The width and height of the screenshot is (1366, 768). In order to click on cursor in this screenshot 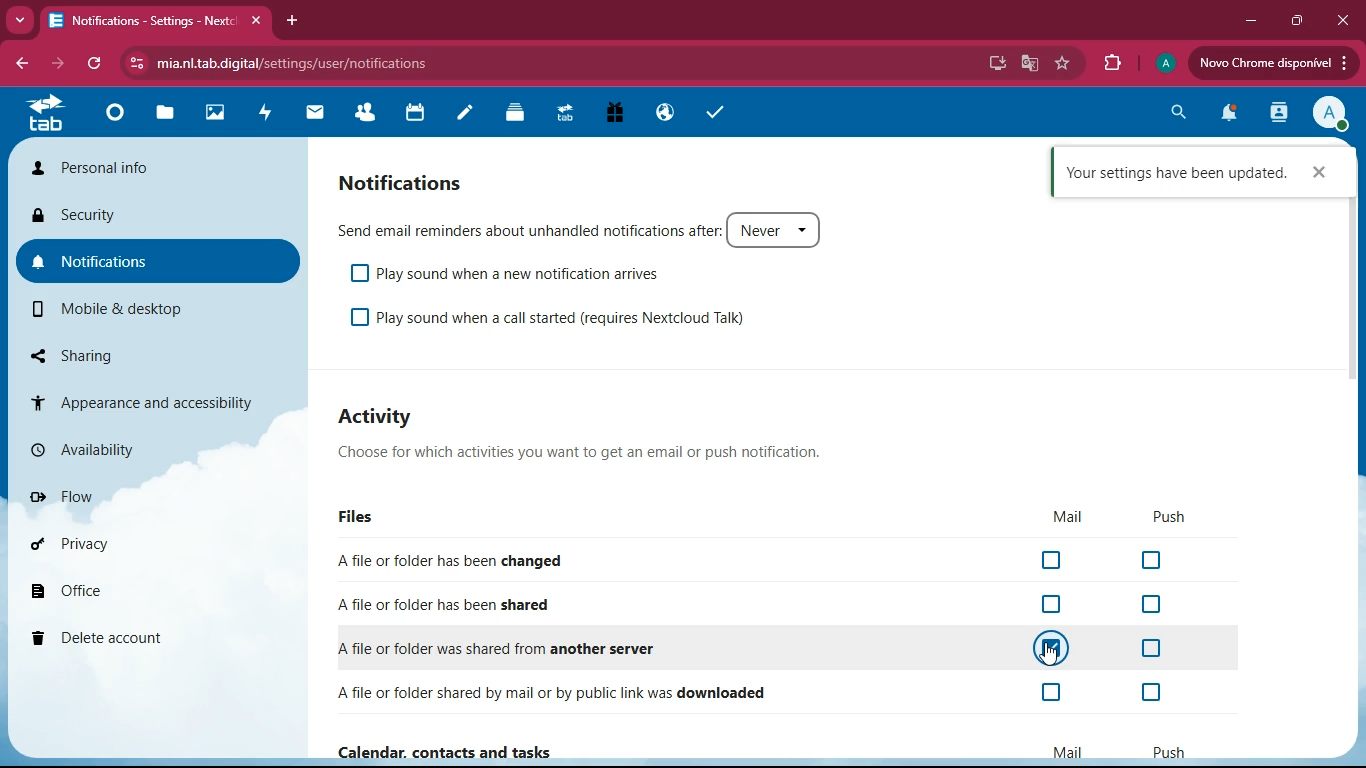, I will do `click(1050, 655)`.